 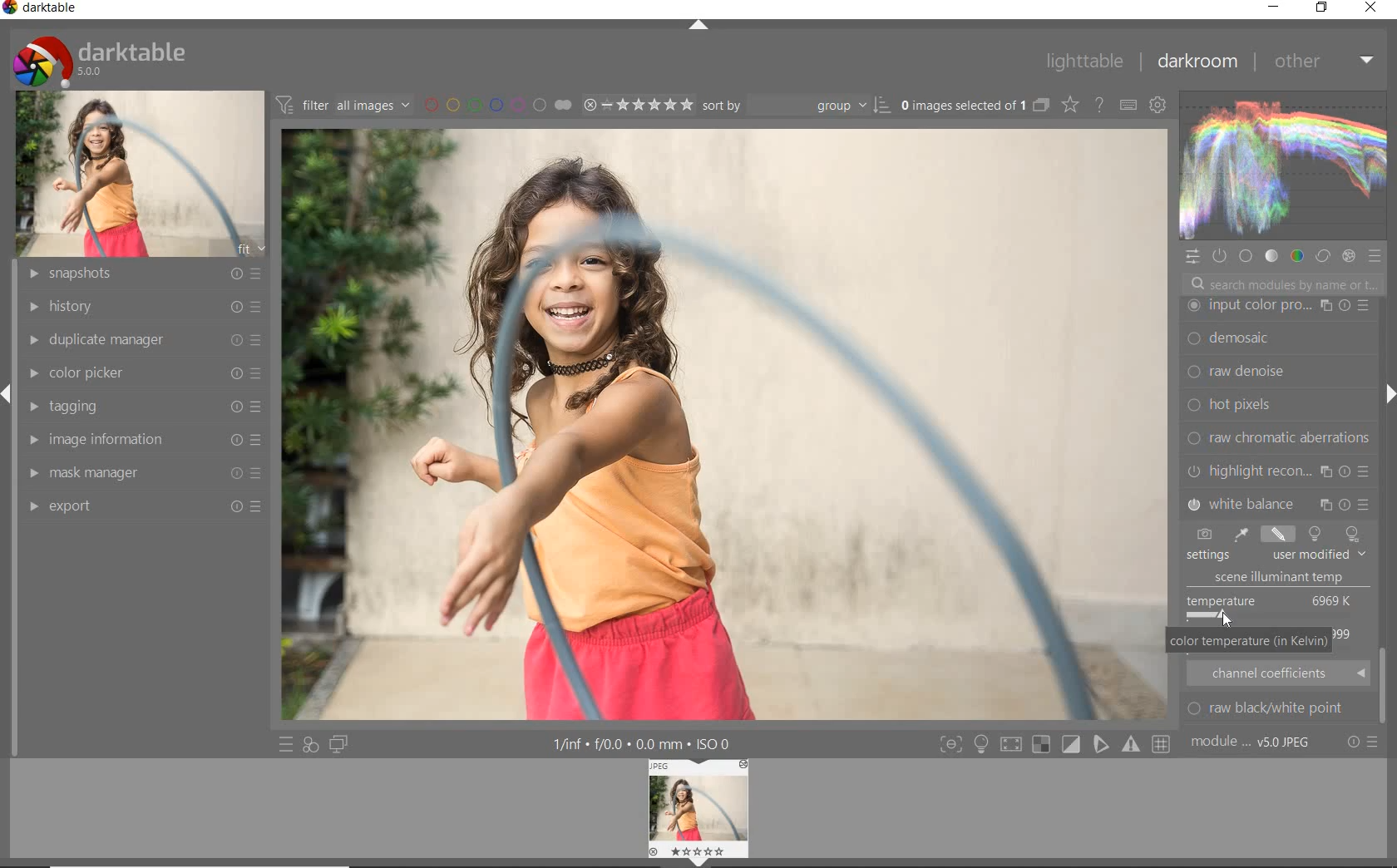 I want to click on define keyboard shortcut, so click(x=1128, y=105).